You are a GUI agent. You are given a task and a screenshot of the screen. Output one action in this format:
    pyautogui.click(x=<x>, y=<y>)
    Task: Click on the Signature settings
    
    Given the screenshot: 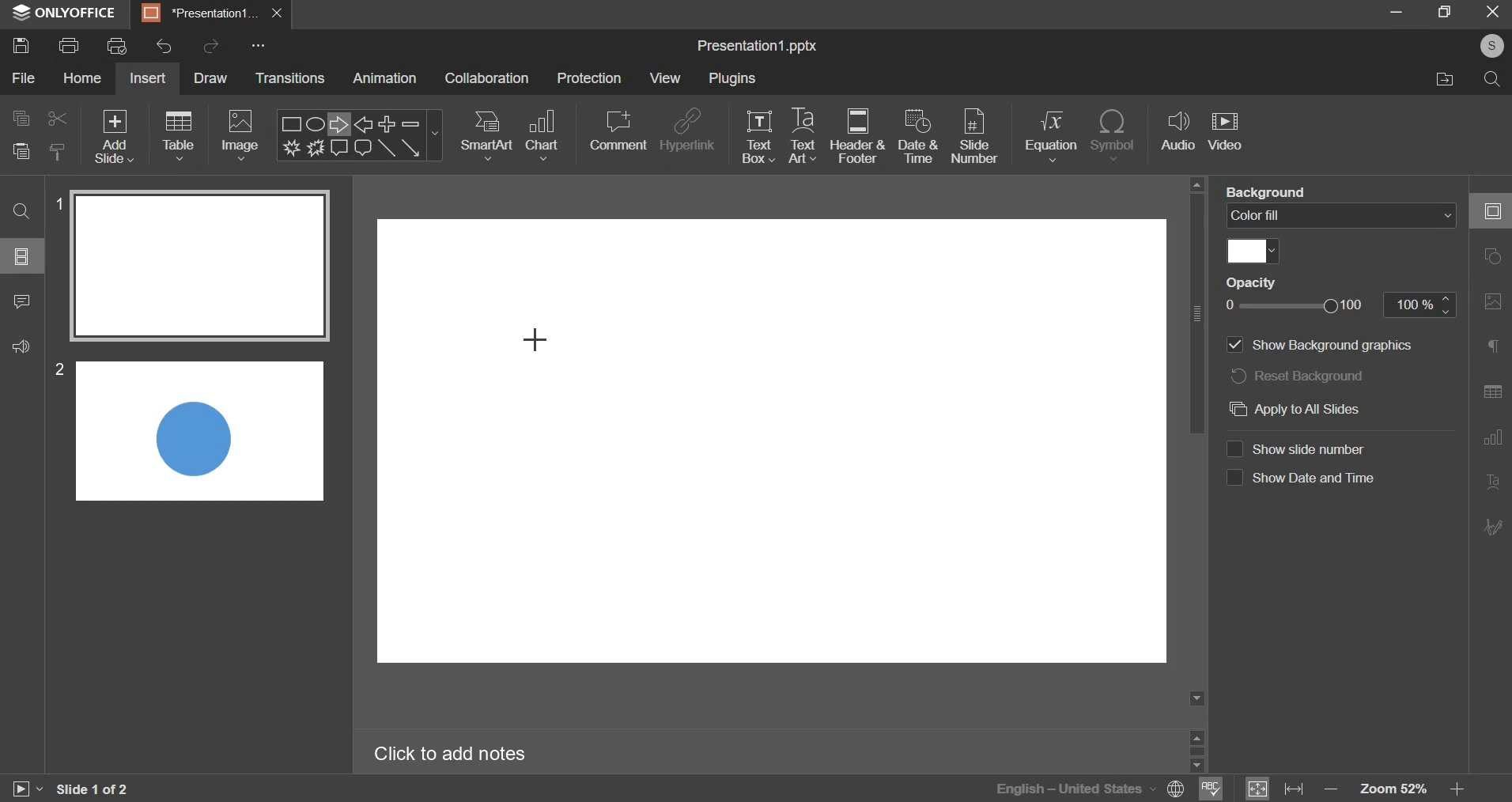 What is the action you would take?
    pyautogui.click(x=1495, y=526)
    